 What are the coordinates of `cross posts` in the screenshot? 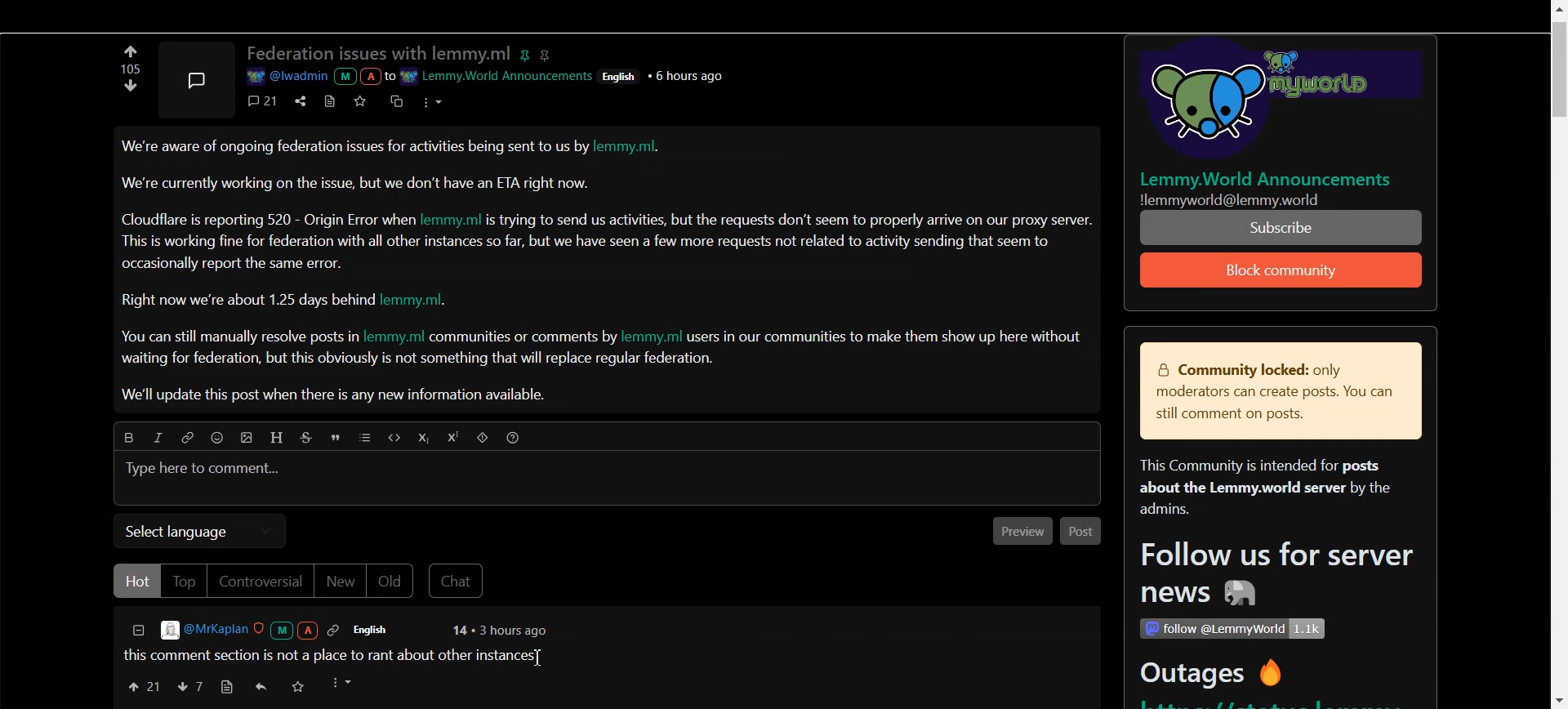 It's located at (398, 100).